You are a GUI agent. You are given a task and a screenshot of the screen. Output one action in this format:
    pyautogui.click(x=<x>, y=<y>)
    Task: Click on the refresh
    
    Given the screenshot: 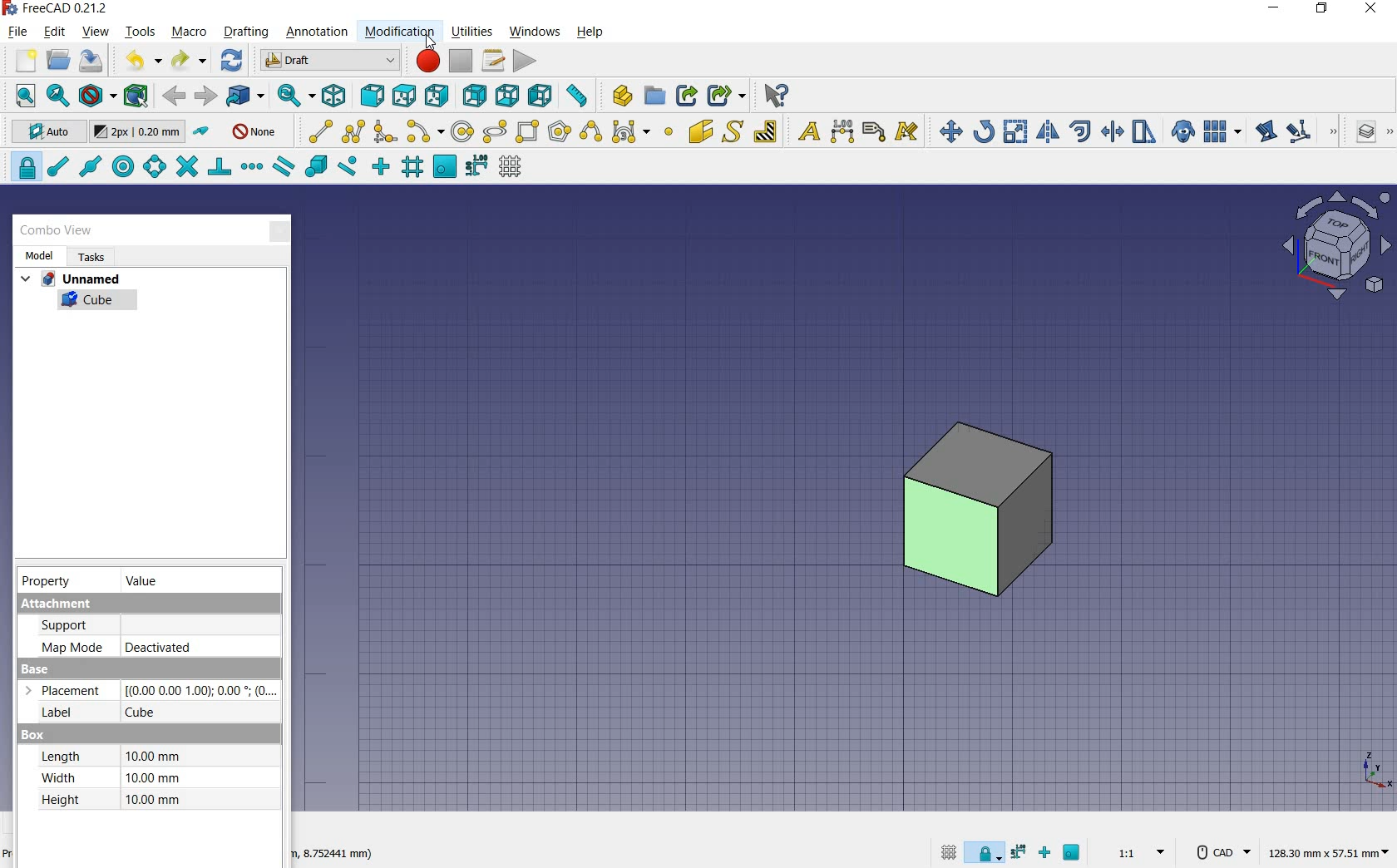 What is the action you would take?
    pyautogui.click(x=232, y=61)
    